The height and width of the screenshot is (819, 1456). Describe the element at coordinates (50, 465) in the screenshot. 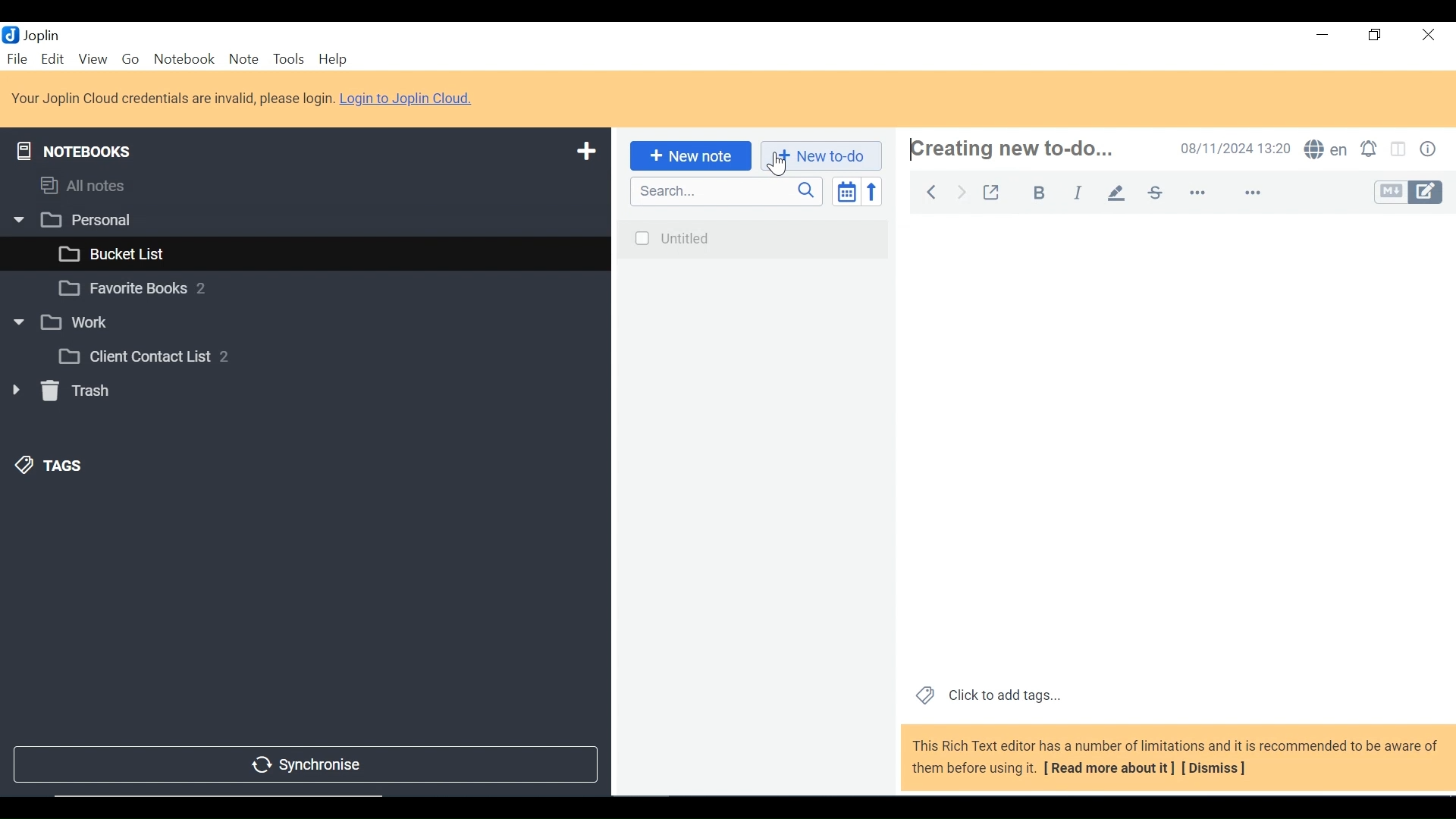

I see `Tags` at that location.